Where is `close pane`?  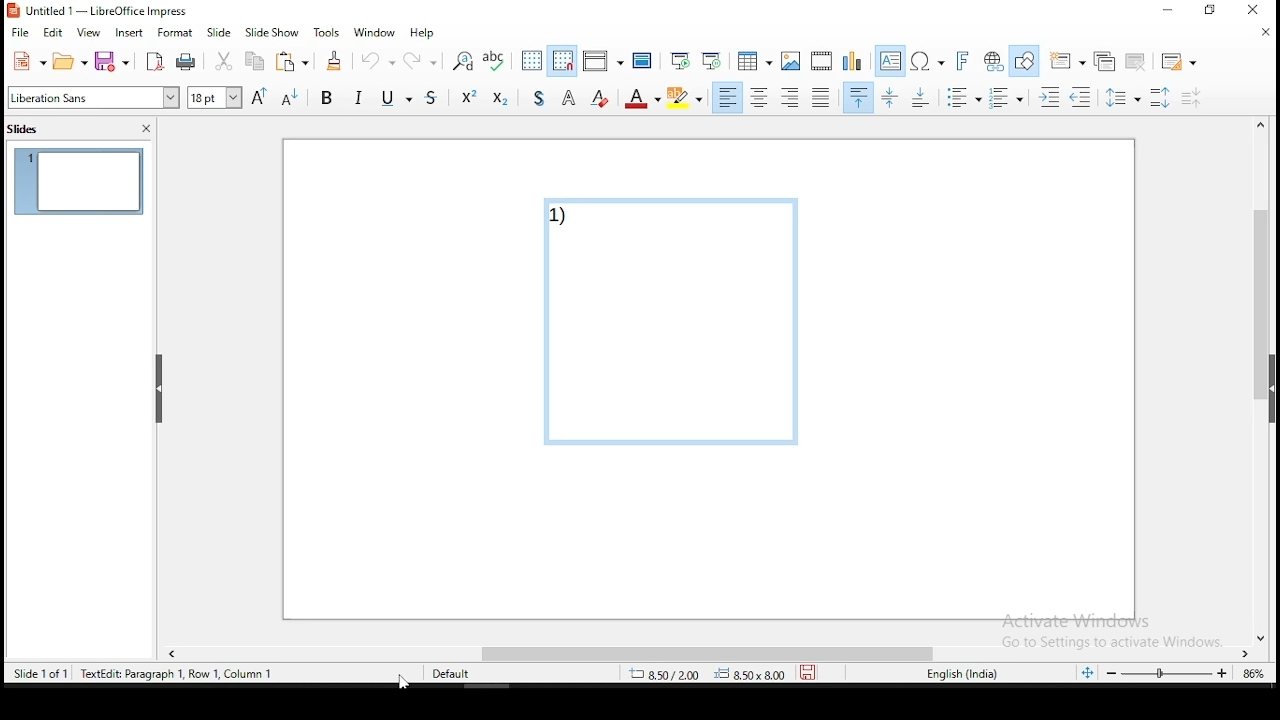
close pane is located at coordinates (161, 388).